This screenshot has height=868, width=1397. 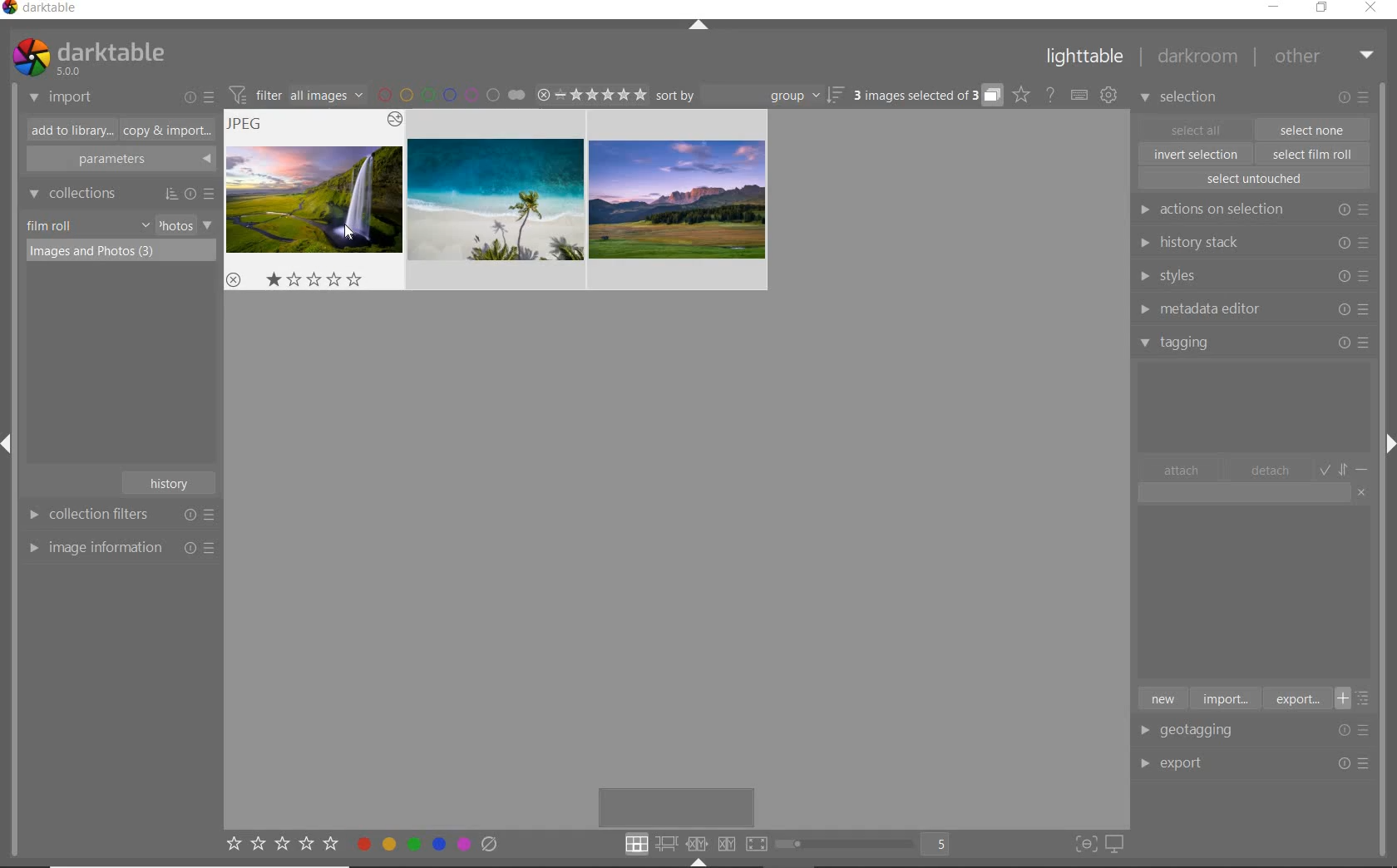 I want to click on Expand, so click(x=1387, y=440).